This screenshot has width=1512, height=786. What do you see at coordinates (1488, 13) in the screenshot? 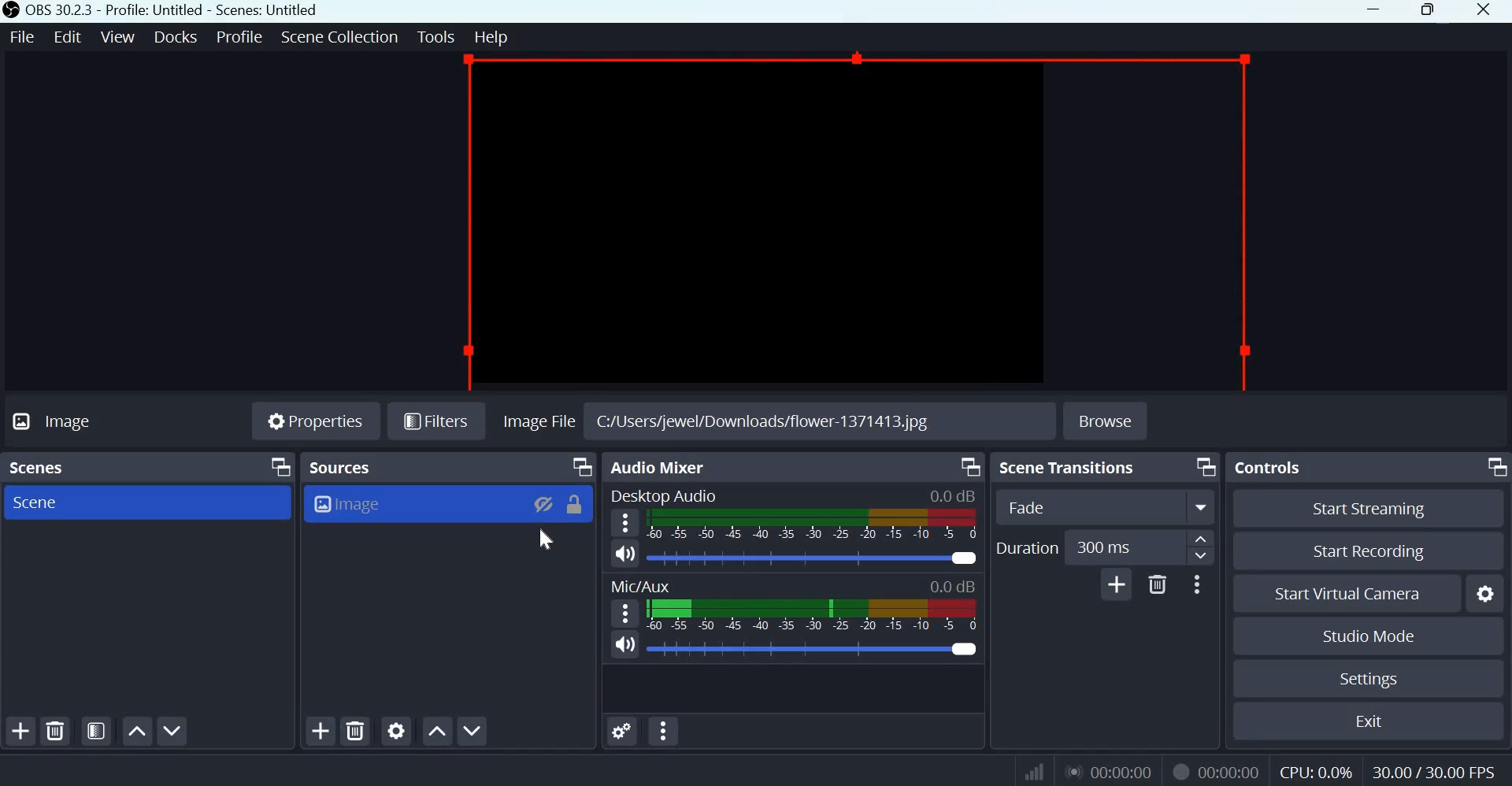
I see `Close` at bounding box center [1488, 13].